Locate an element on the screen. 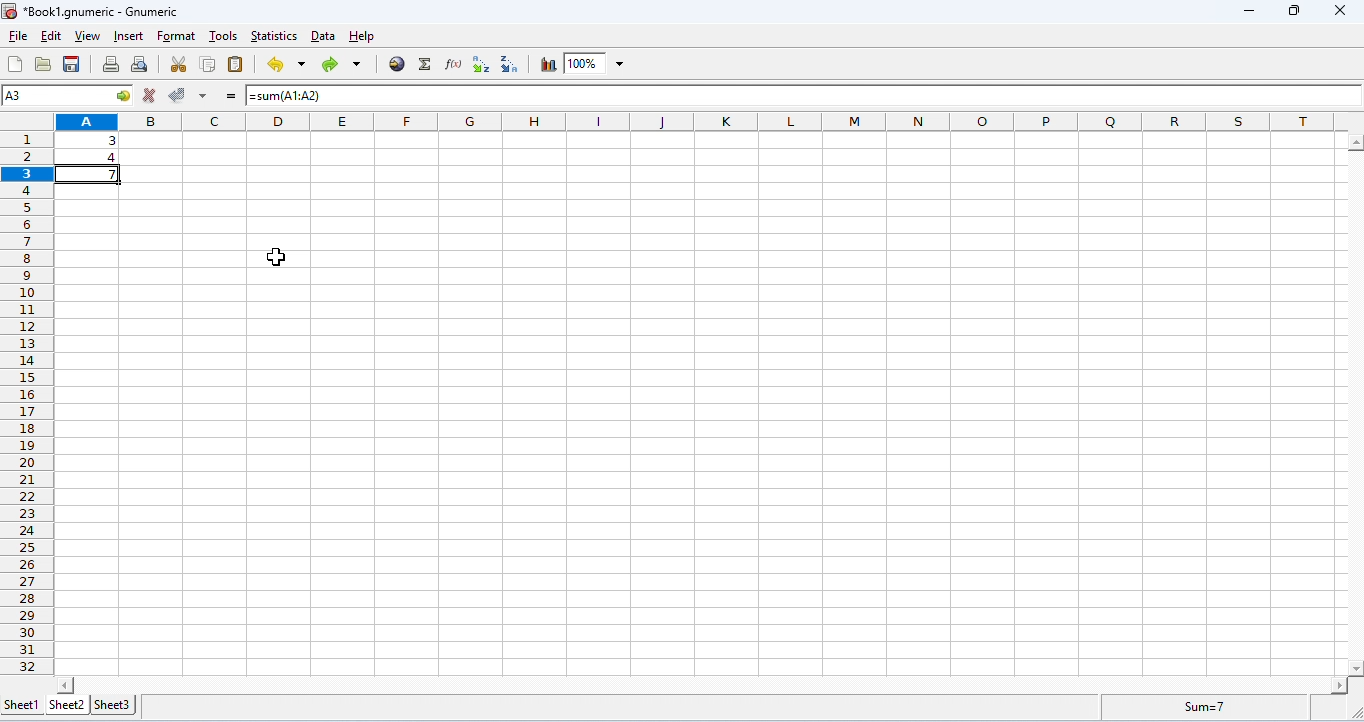  insert is located at coordinates (129, 36).